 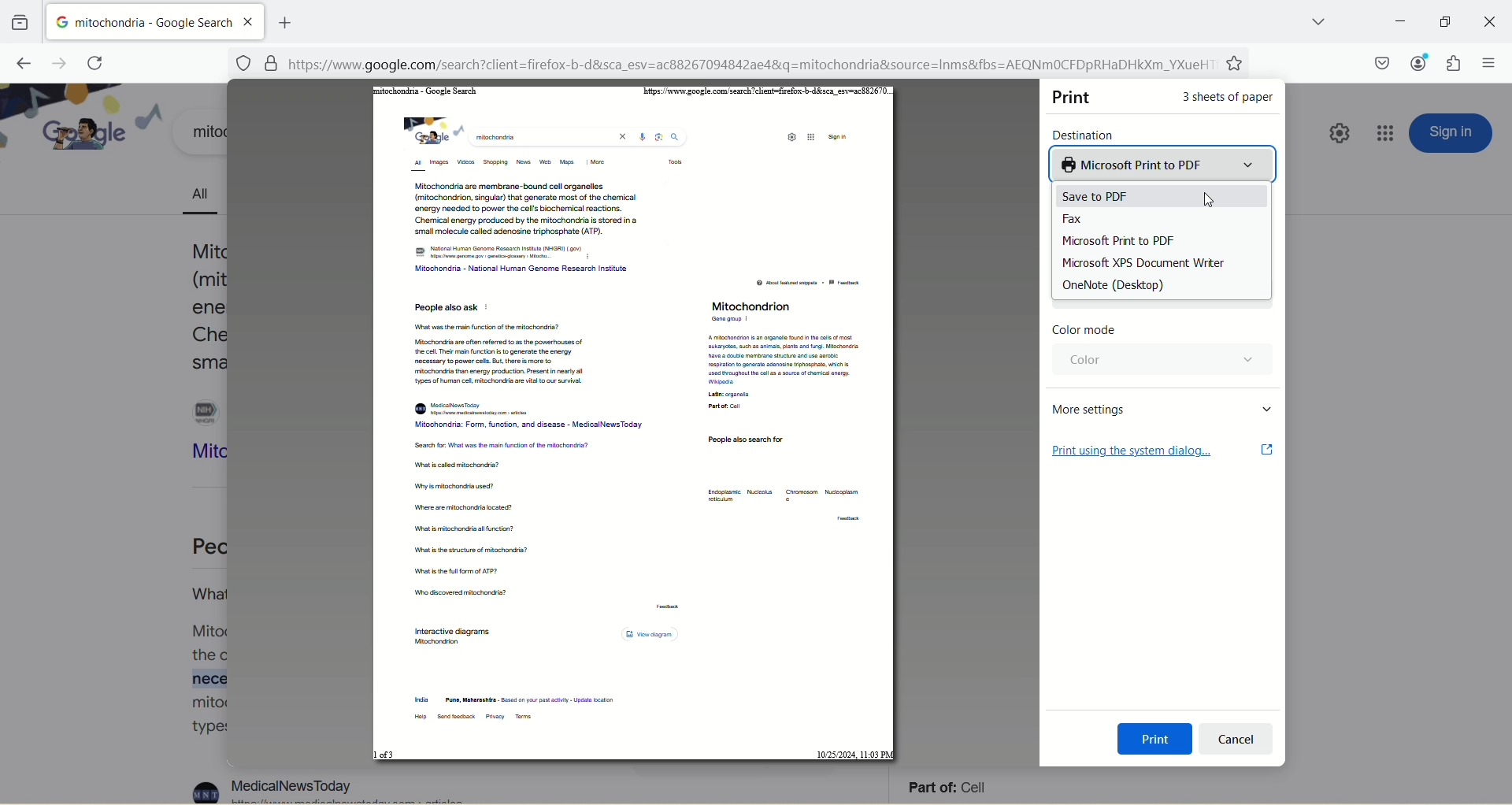 What do you see at coordinates (1396, 21) in the screenshot?
I see `minimize` at bounding box center [1396, 21].